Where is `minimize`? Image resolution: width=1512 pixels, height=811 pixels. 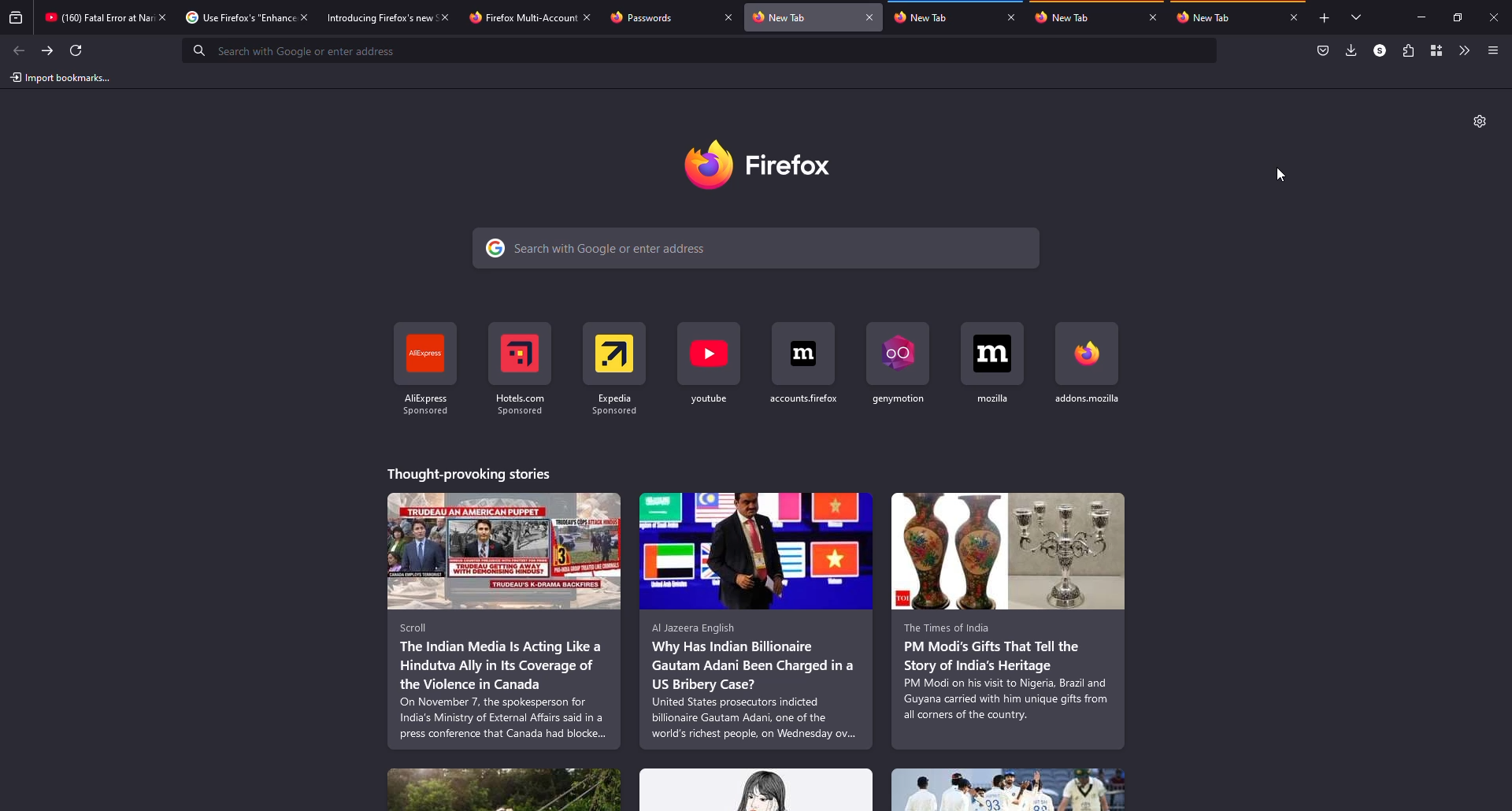 minimize is located at coordinates (1417, 17).